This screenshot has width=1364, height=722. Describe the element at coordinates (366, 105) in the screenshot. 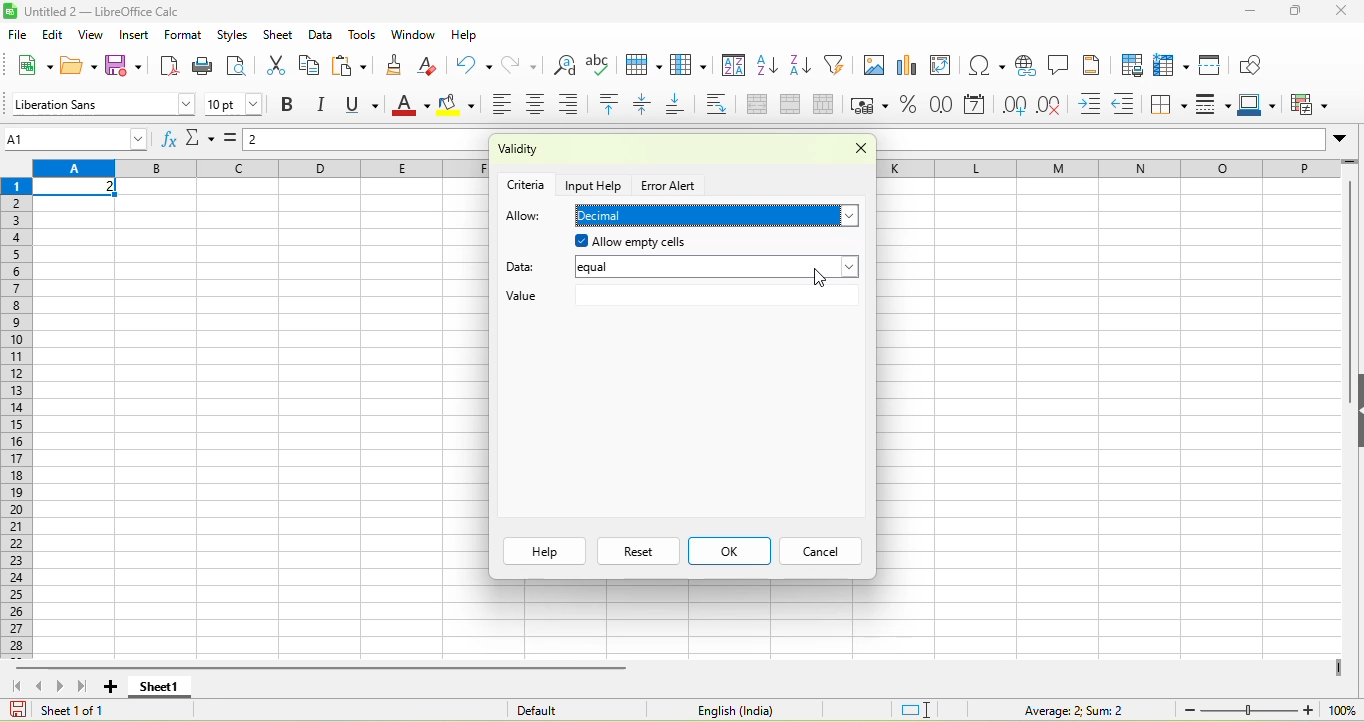

I see `underline` at that location.